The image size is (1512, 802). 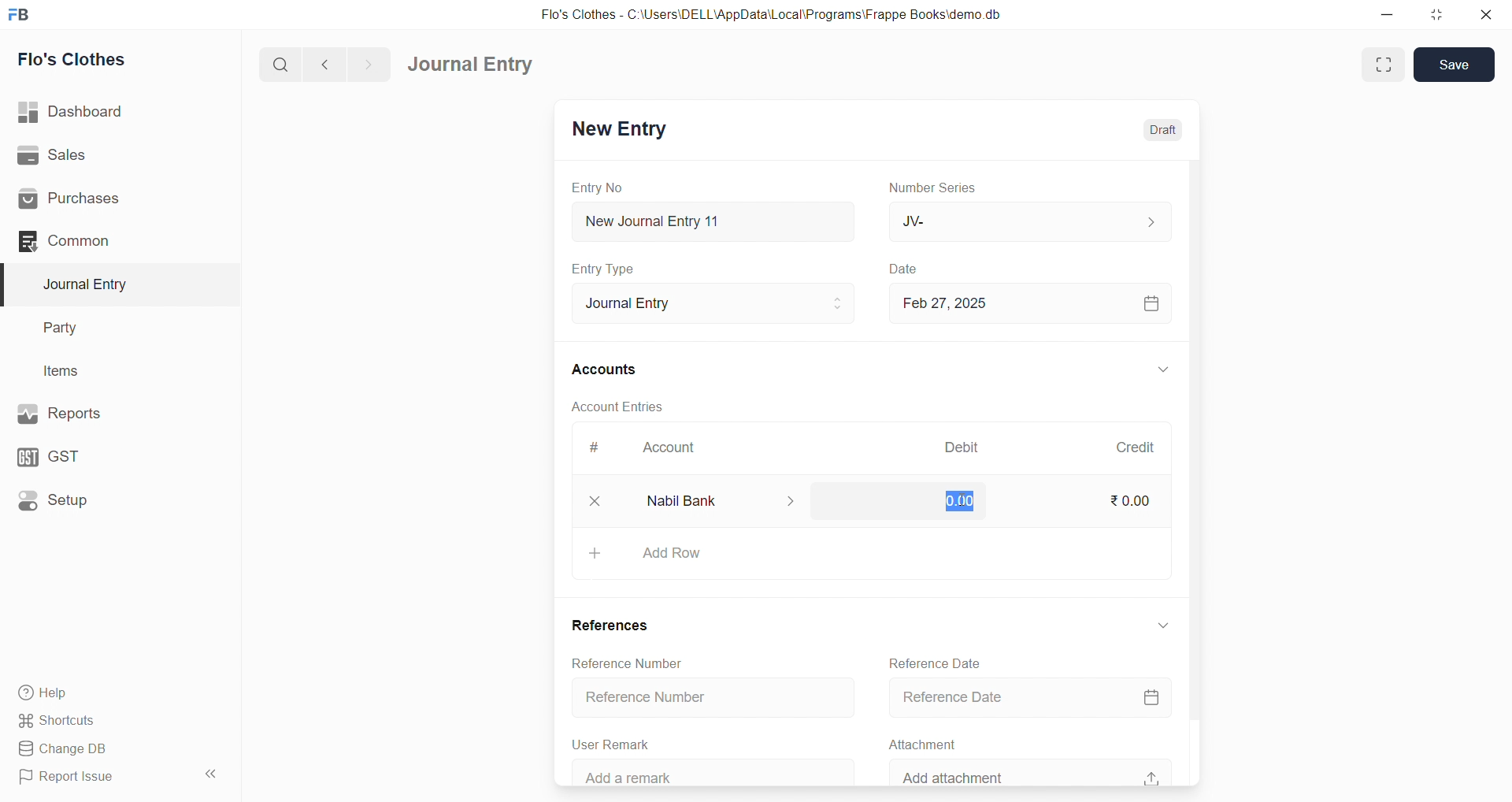 I want to click on Help, so click(x=98, y=694).